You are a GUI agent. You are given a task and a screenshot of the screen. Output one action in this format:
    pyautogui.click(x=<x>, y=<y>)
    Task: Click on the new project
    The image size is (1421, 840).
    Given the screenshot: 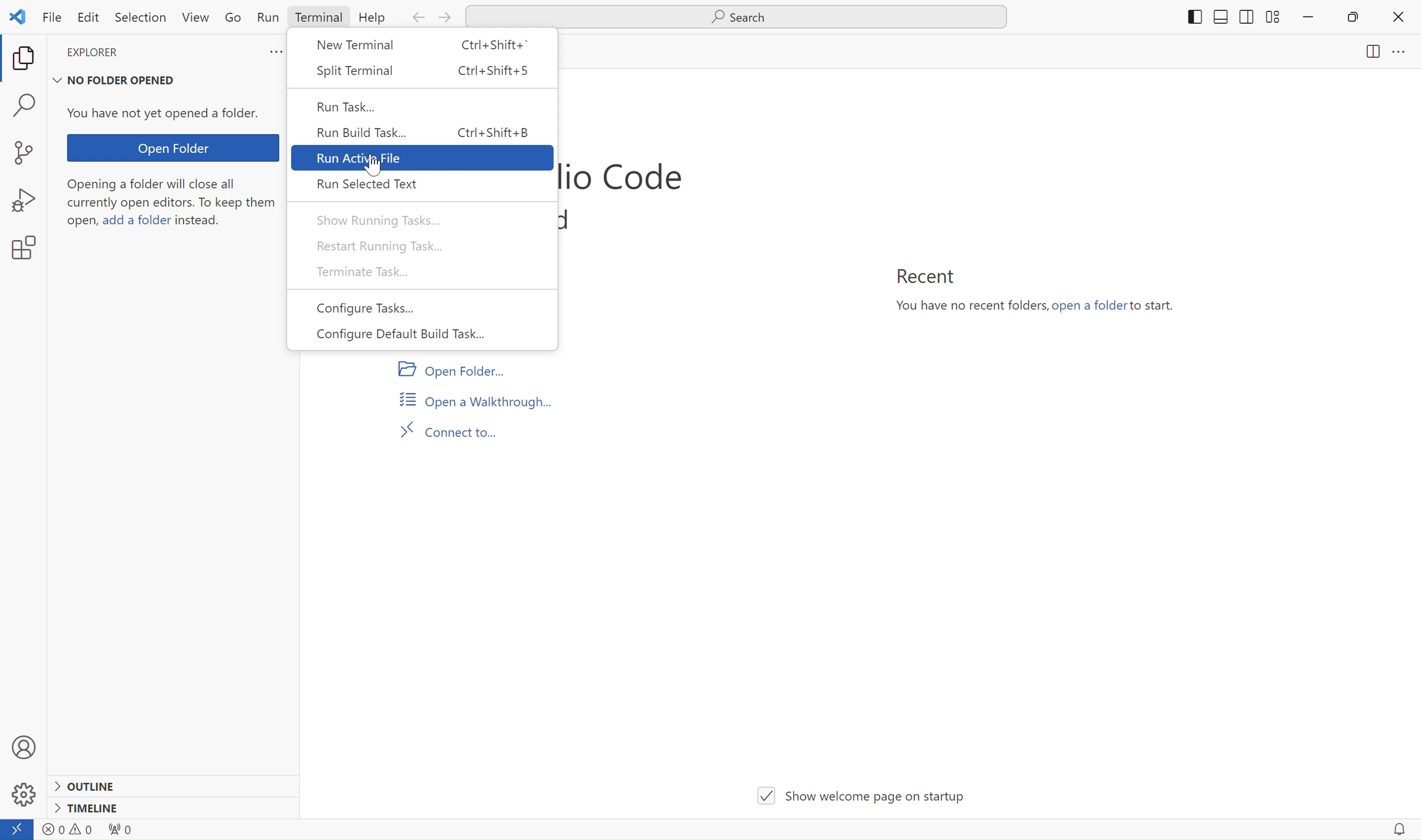 What is the action you would take?
    pyautogui.click(x=31, y=153)
    